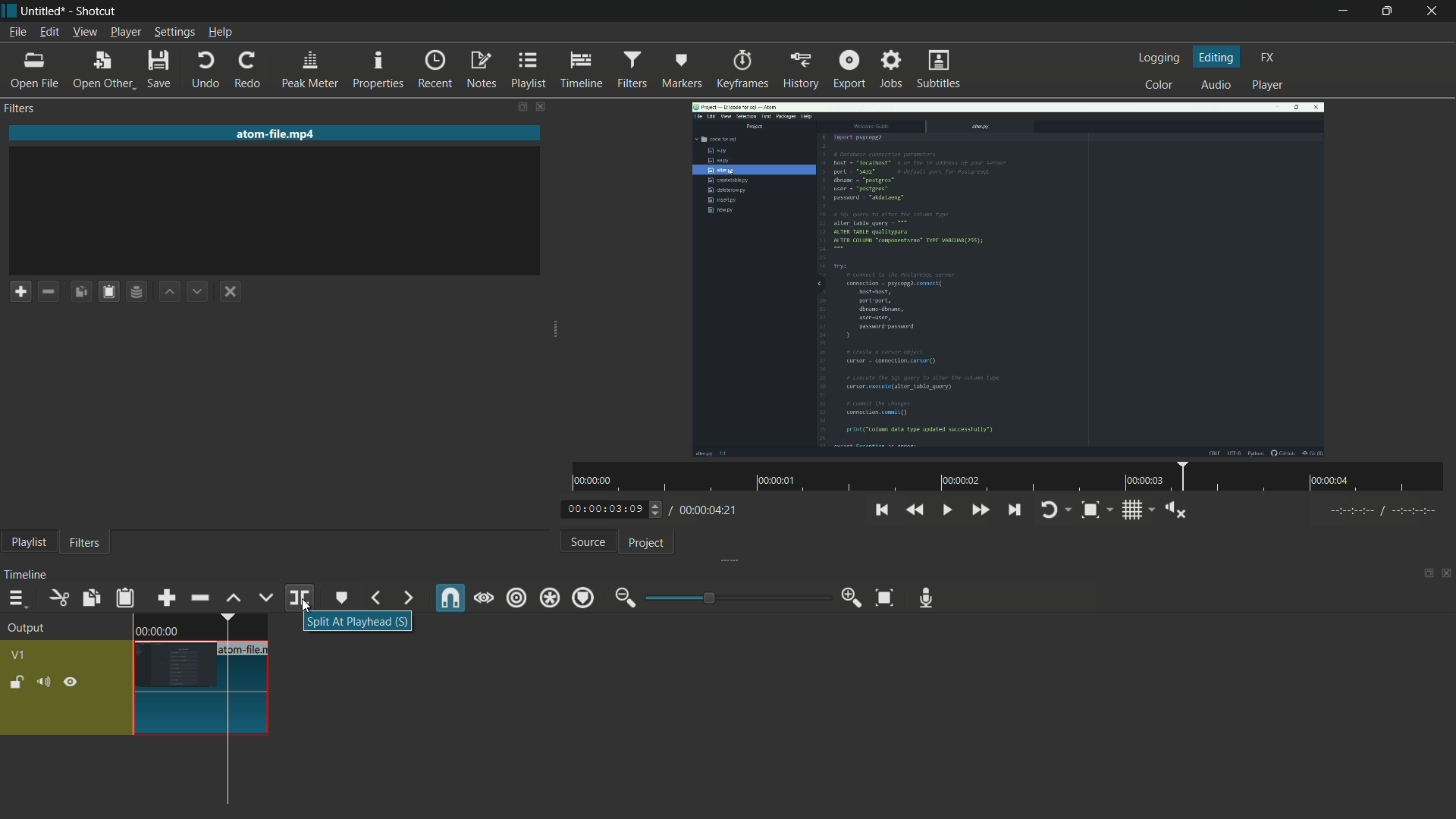 Image resolution: width=1456 pixels, height=819 pixels. I want to click on timeline, so click(28, 573).